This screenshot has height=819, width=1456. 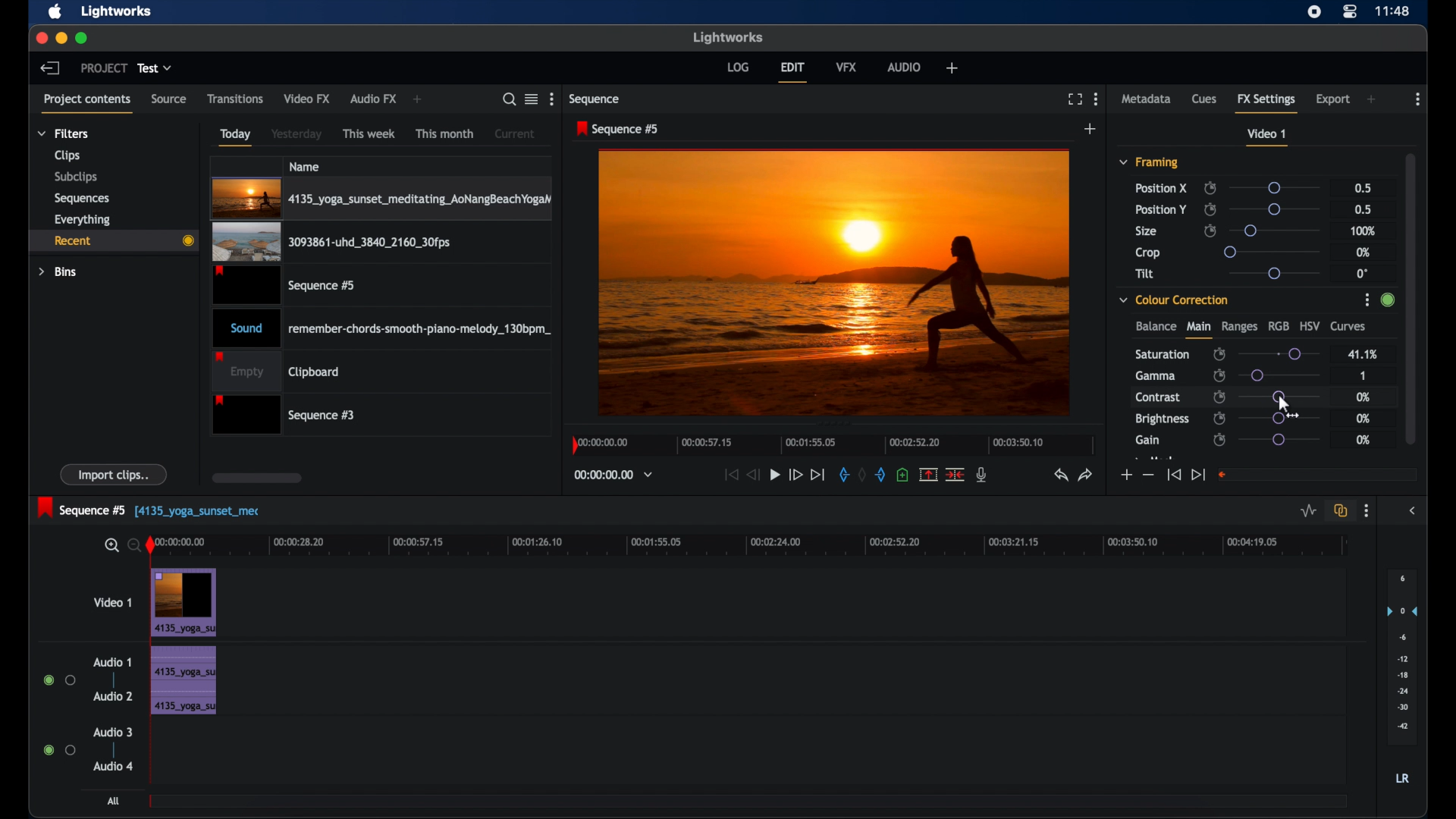 What do you see at coordinates (1239, 327) in the screenshot?
I see `ranges` at bounding box center [1239, 327].